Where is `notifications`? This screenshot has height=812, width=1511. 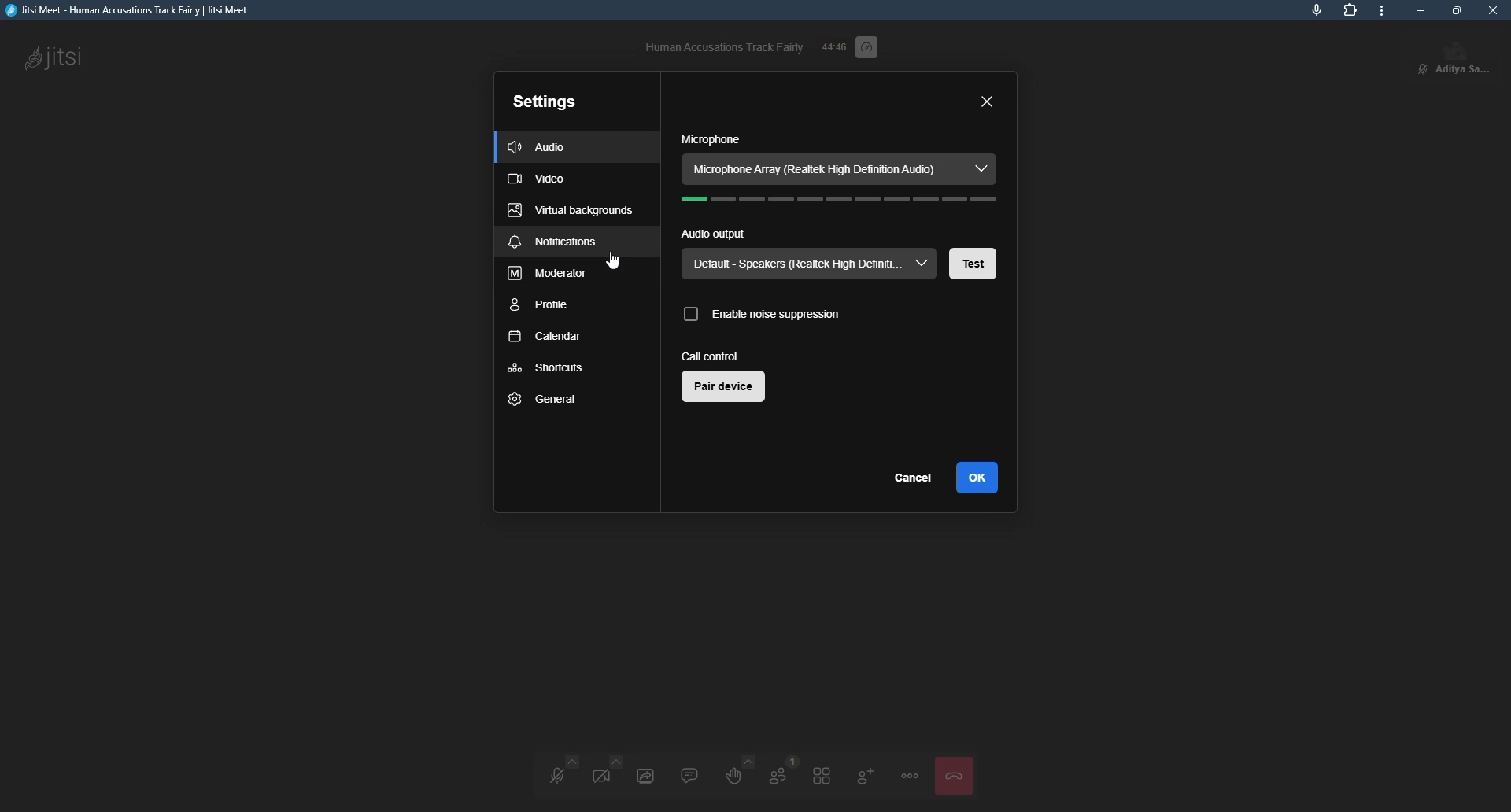
notifications is located at coordinates (555, 243).